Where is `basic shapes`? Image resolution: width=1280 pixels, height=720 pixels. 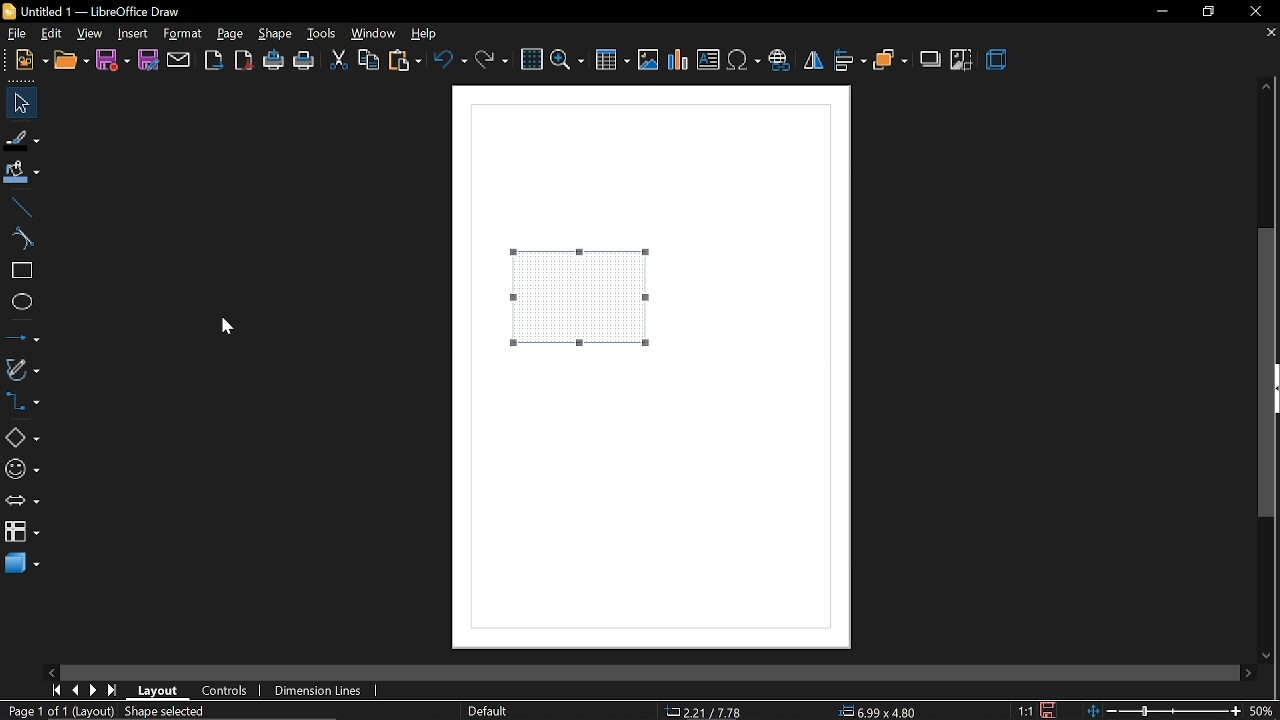 basic shapes is located at coordinates (21, 438).